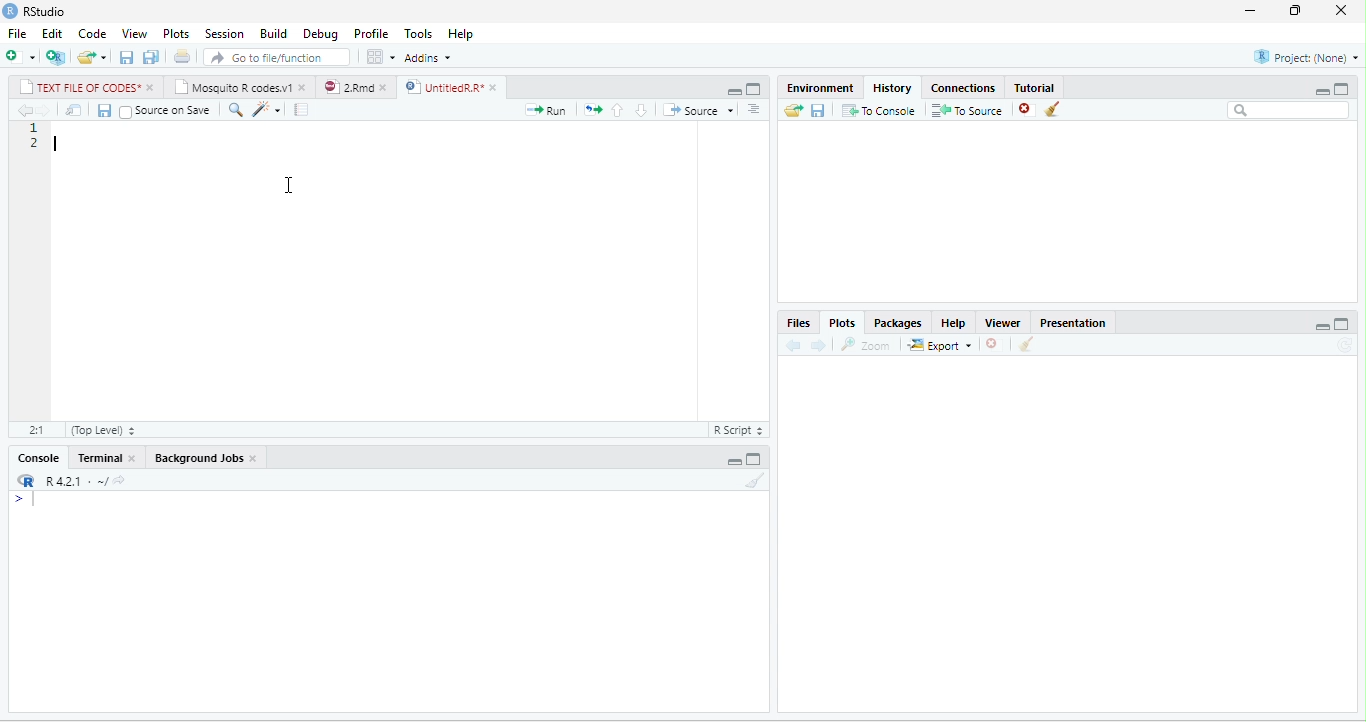 Image resolution: width=1366 pixels, height=722 pixels. I want to click on show in new window, so click(74, 110).